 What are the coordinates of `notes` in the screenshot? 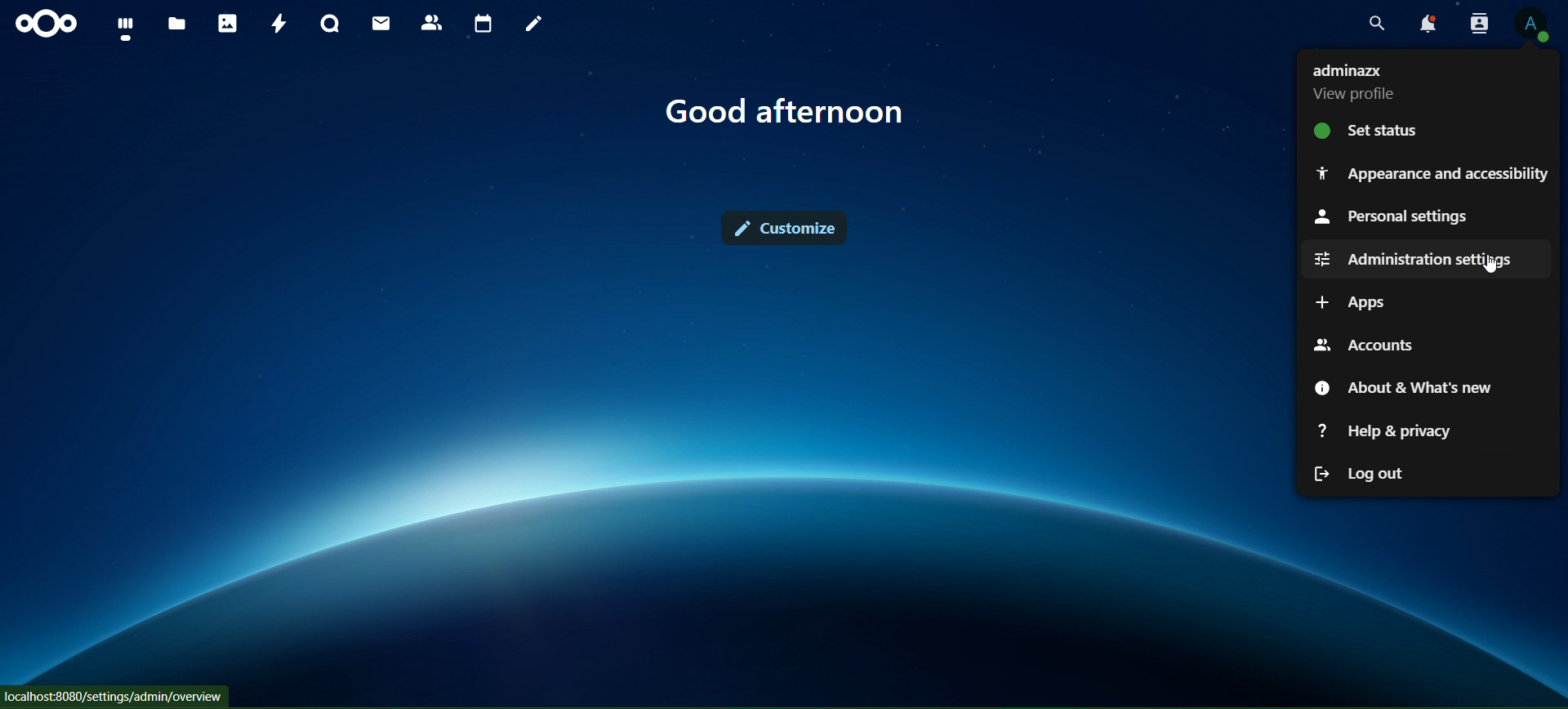 It's located at (535, 24).